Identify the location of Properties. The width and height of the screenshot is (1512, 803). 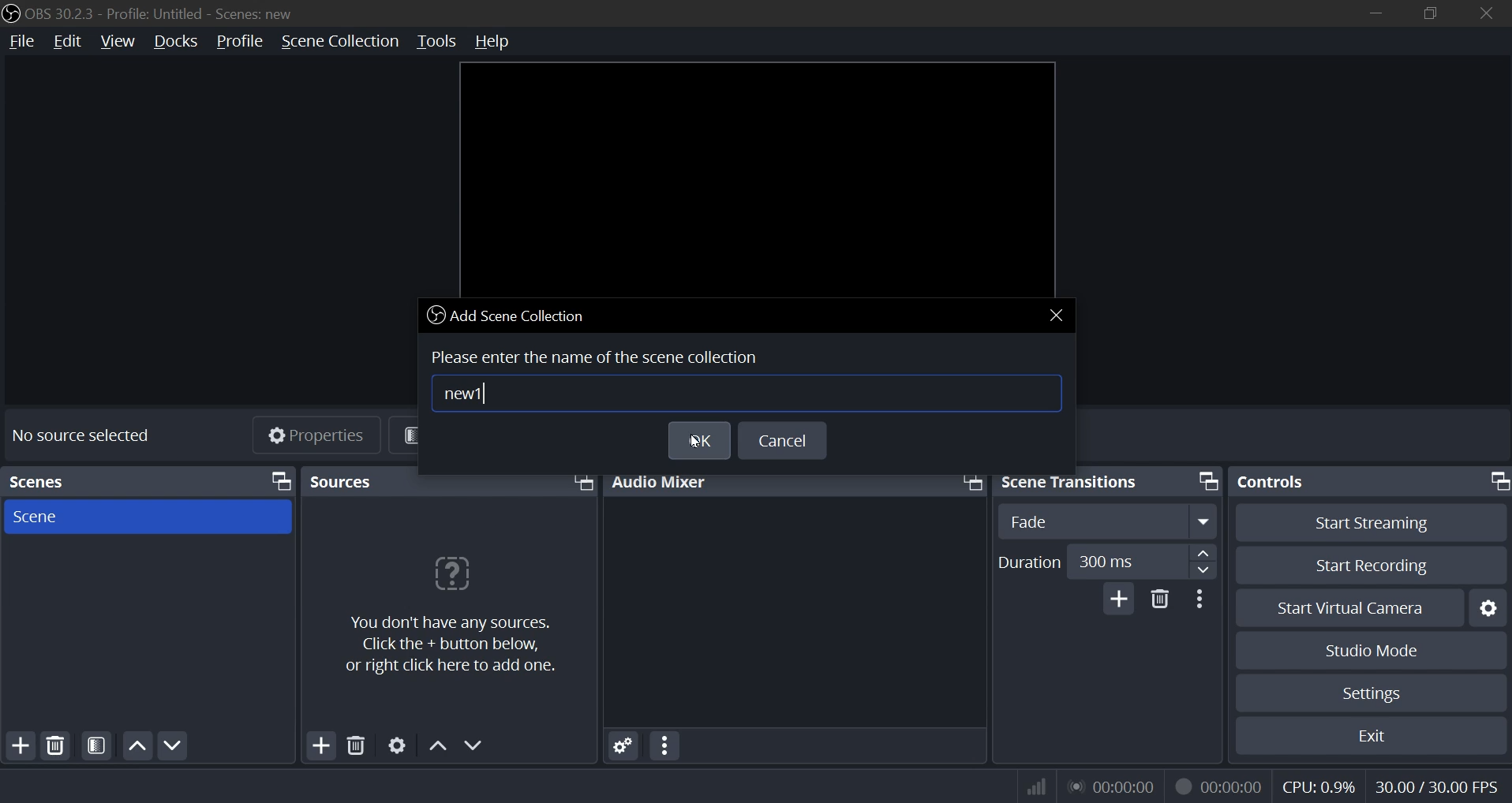
(320, 436).